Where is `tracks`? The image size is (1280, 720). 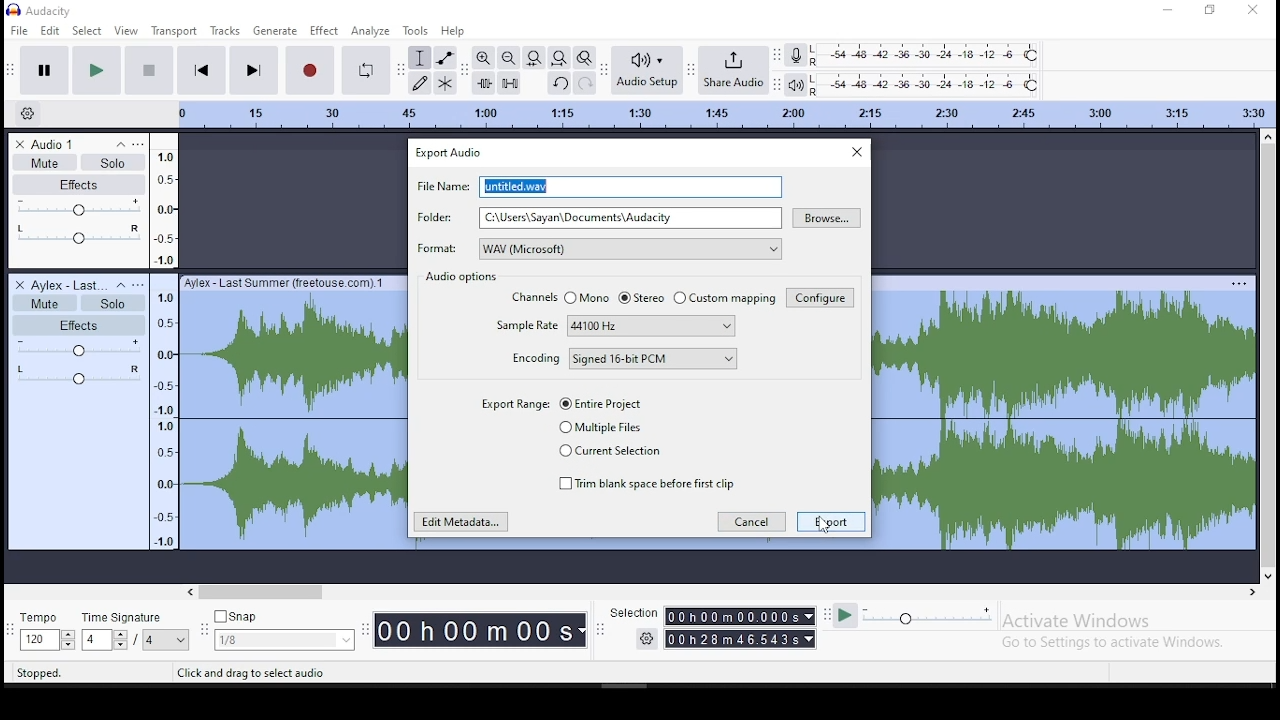
tracks is located at coordinates (226, 30).